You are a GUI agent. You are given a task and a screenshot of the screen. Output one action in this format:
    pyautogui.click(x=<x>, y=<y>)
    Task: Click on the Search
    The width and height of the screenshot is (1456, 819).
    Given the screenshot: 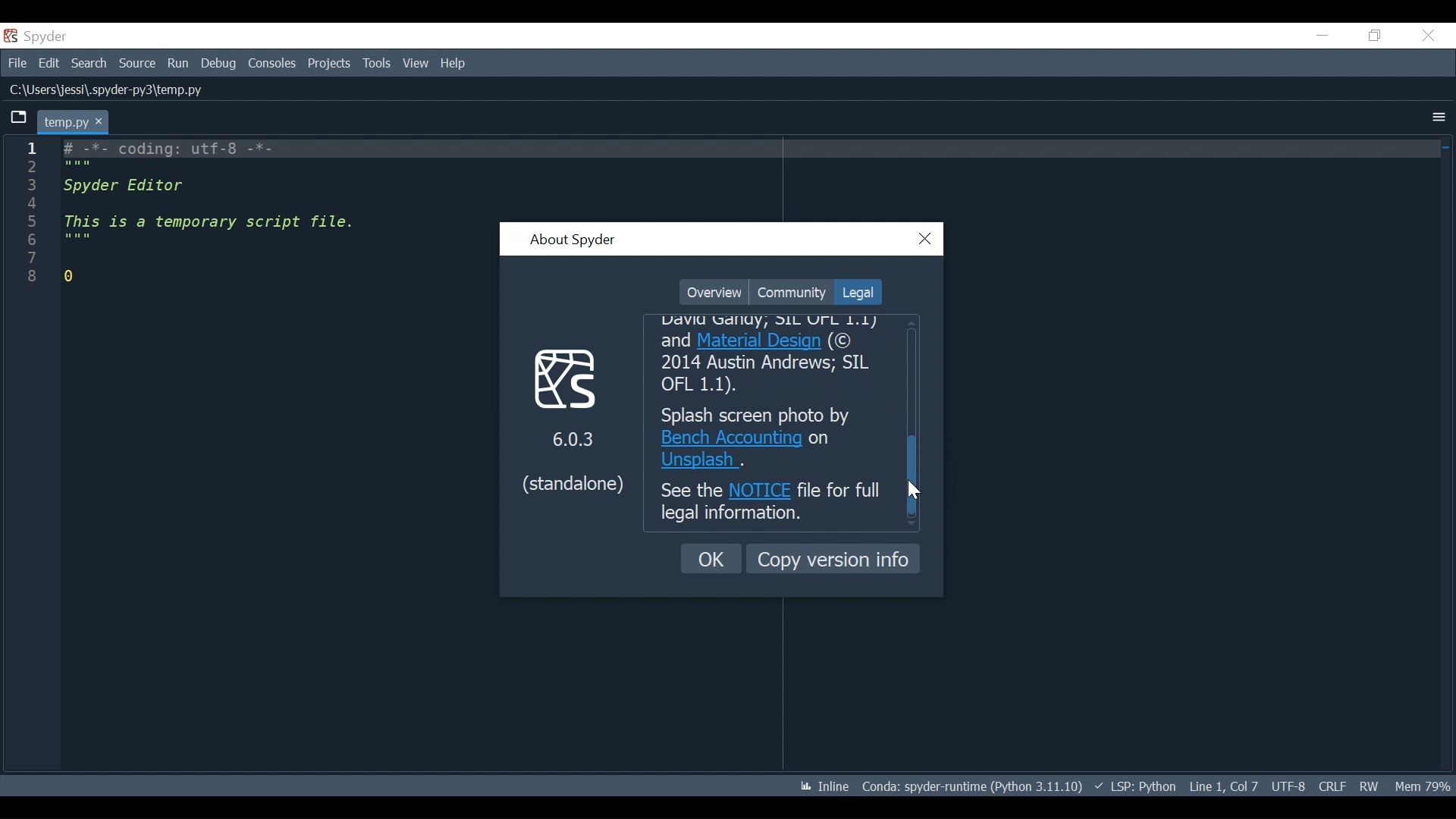 What is the action you would take?
    pyautogui.click(x=89, y=63)
    